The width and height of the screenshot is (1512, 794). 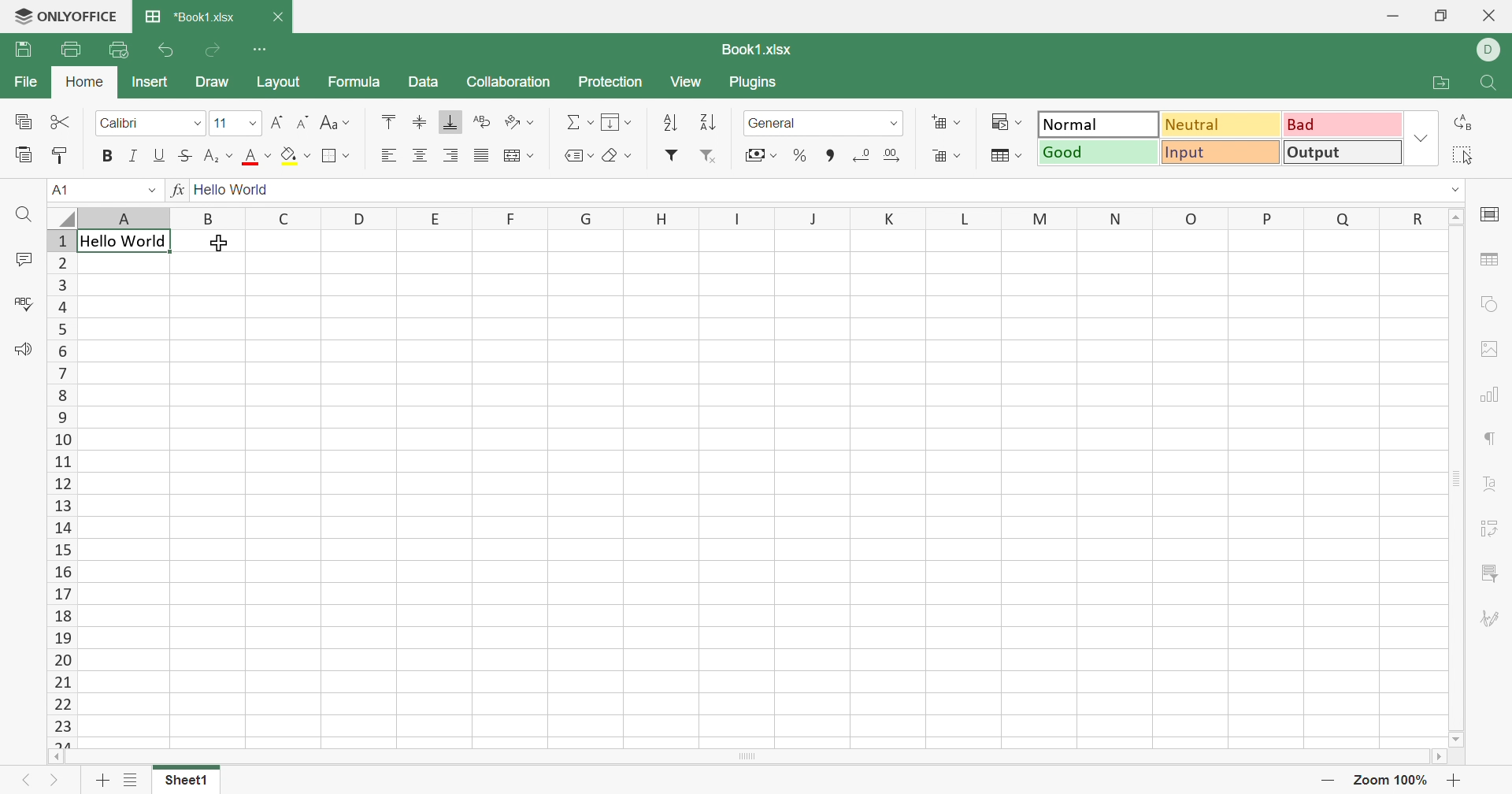 I want to click on Drop down, so click(x=1423, y=139).